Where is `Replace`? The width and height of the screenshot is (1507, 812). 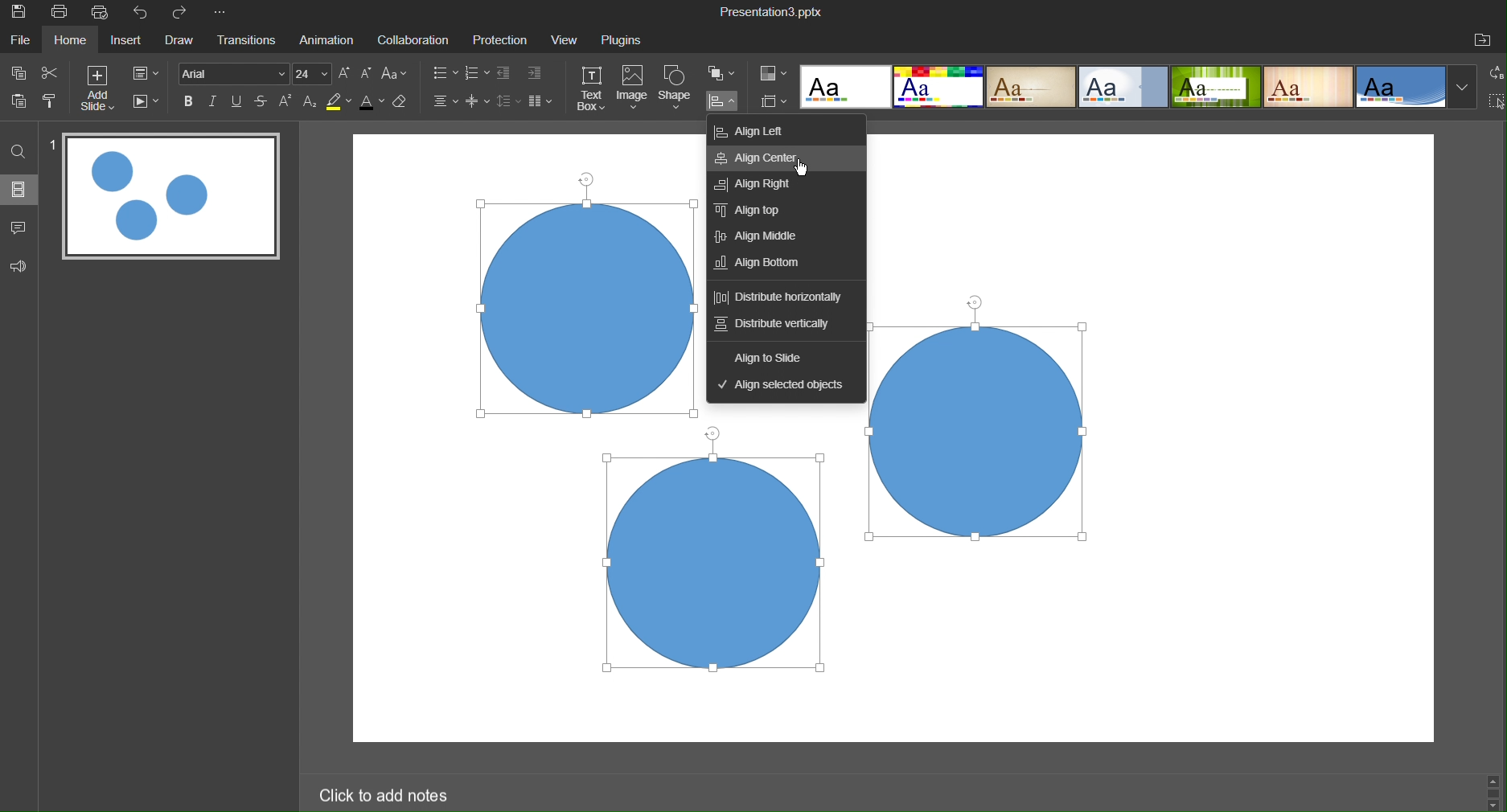
Replace is located at coordinates (1493, 76).